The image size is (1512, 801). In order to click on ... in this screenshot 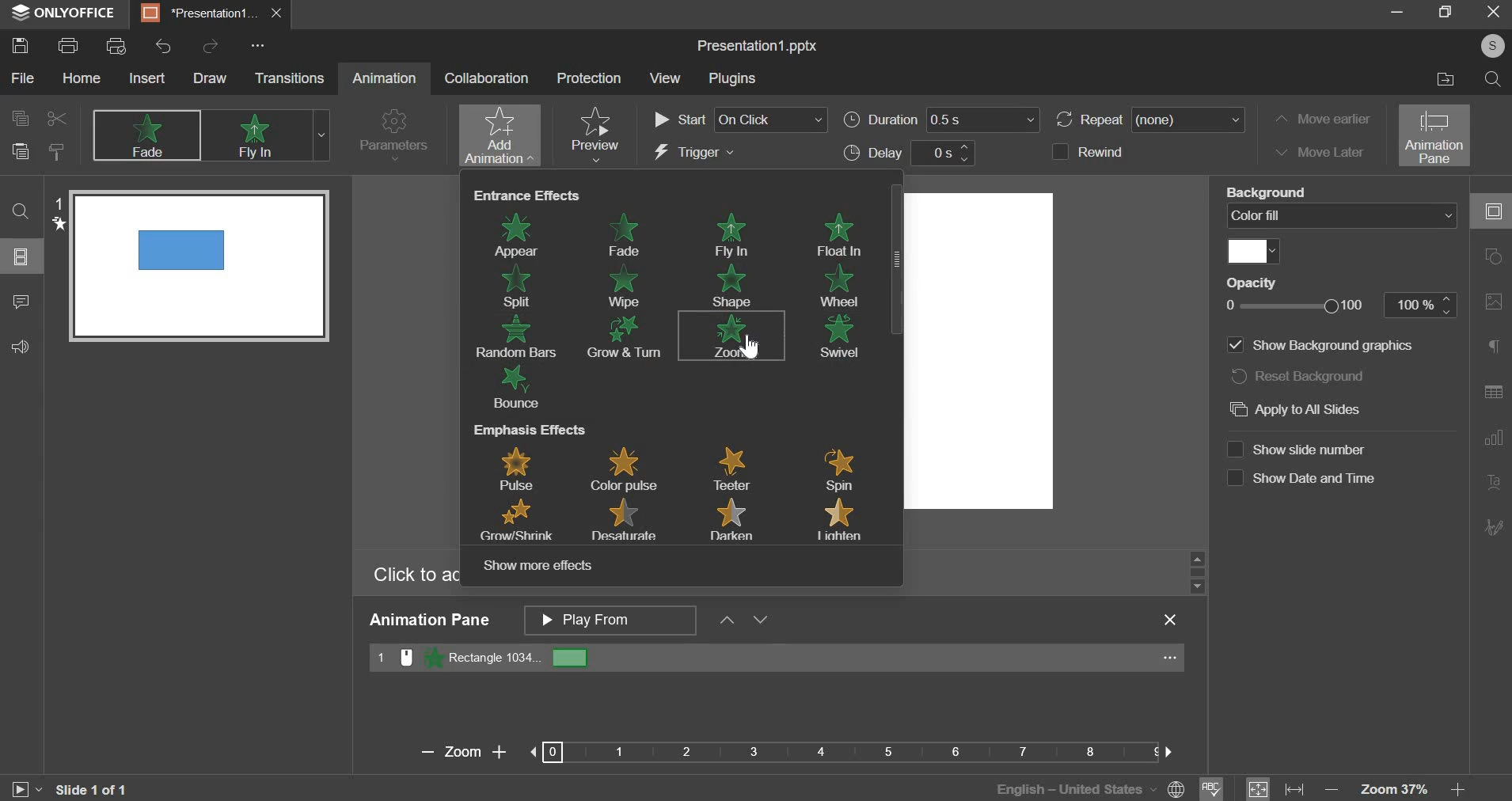, I will do `click(1171, 659)`.